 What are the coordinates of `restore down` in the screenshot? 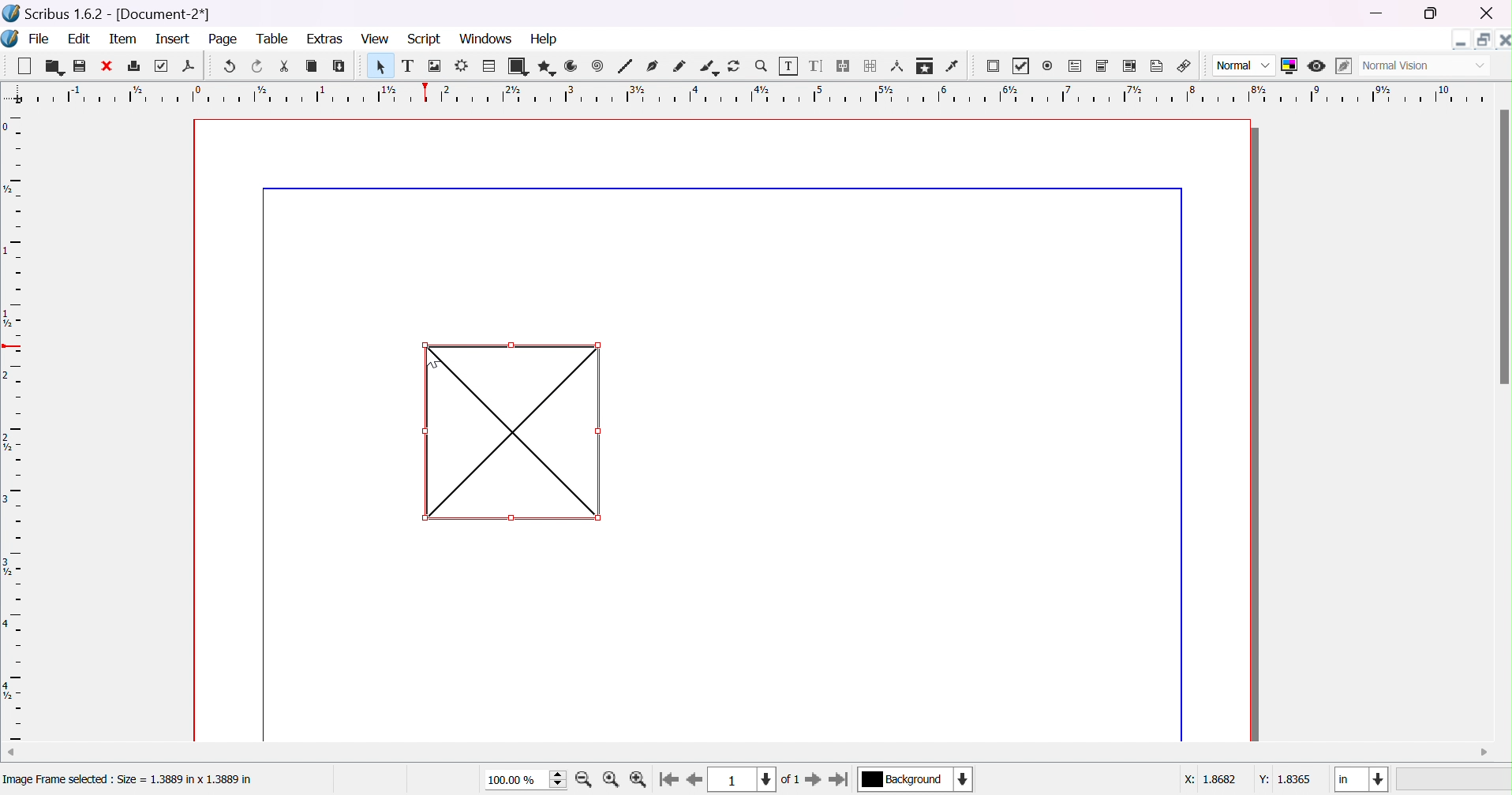 It's located at (1432, 15).